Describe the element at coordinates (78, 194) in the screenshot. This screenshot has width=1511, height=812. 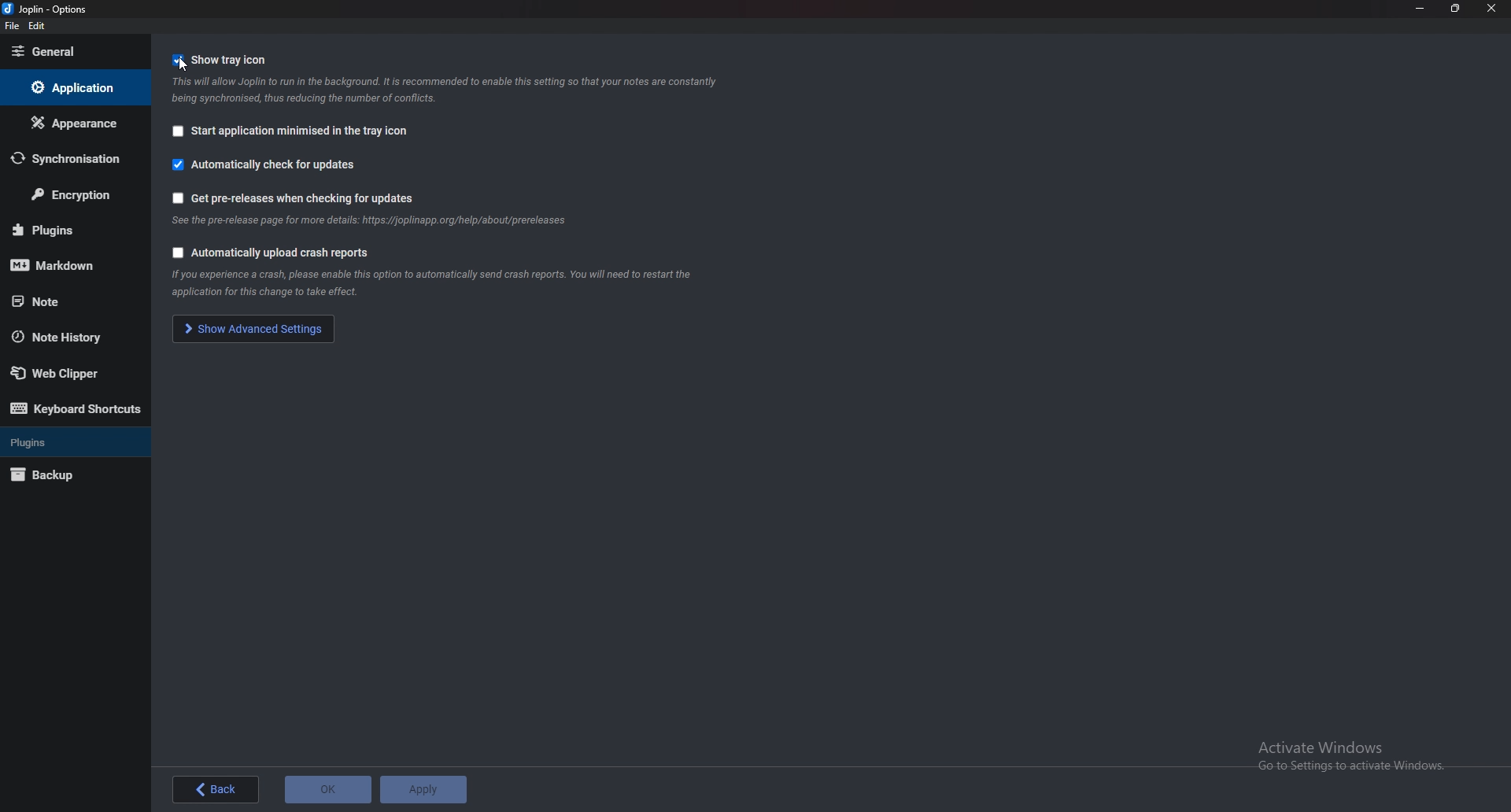
I see `Encryption` at that location.